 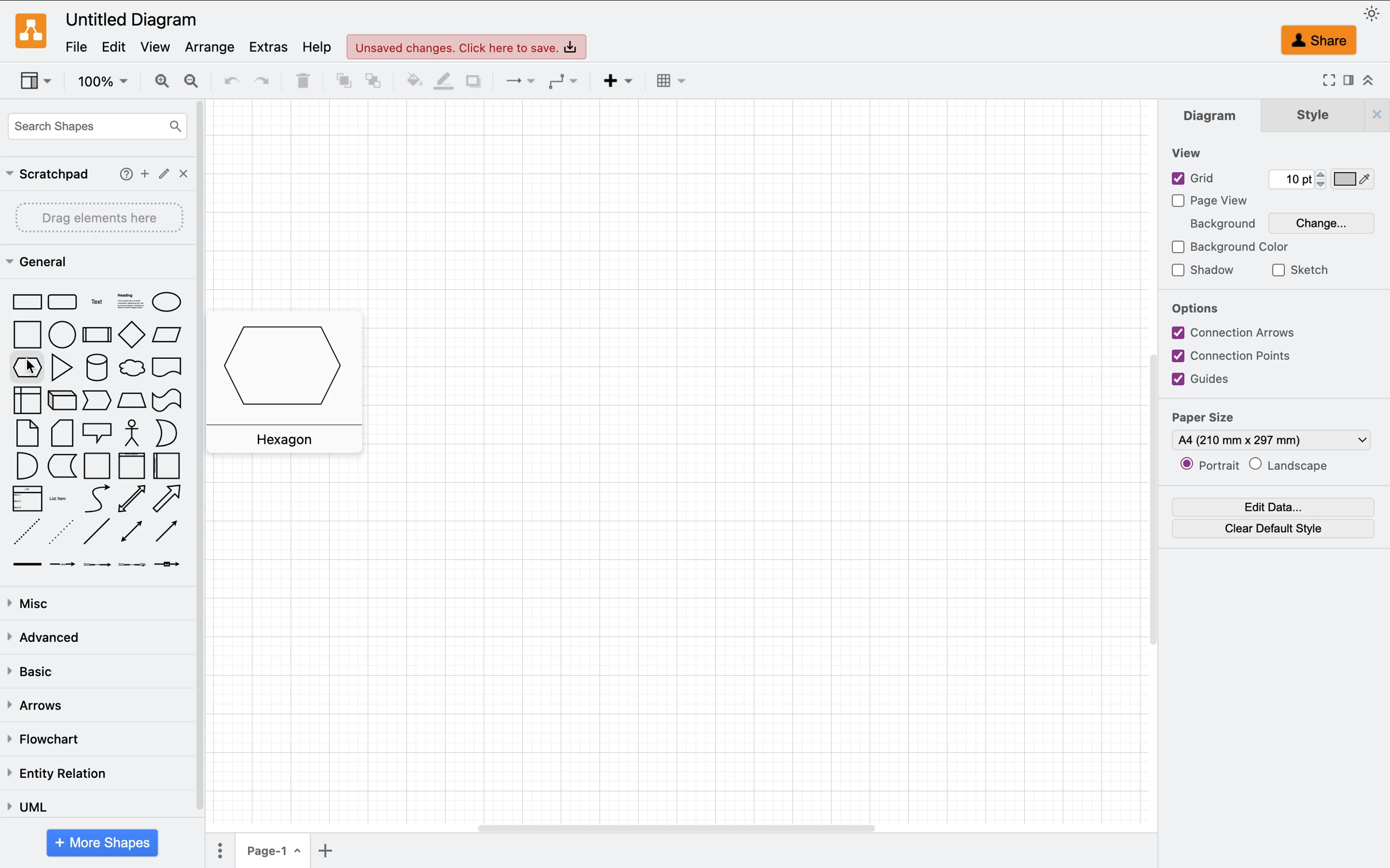 I want to click on basic, so click(x=40, y=671).